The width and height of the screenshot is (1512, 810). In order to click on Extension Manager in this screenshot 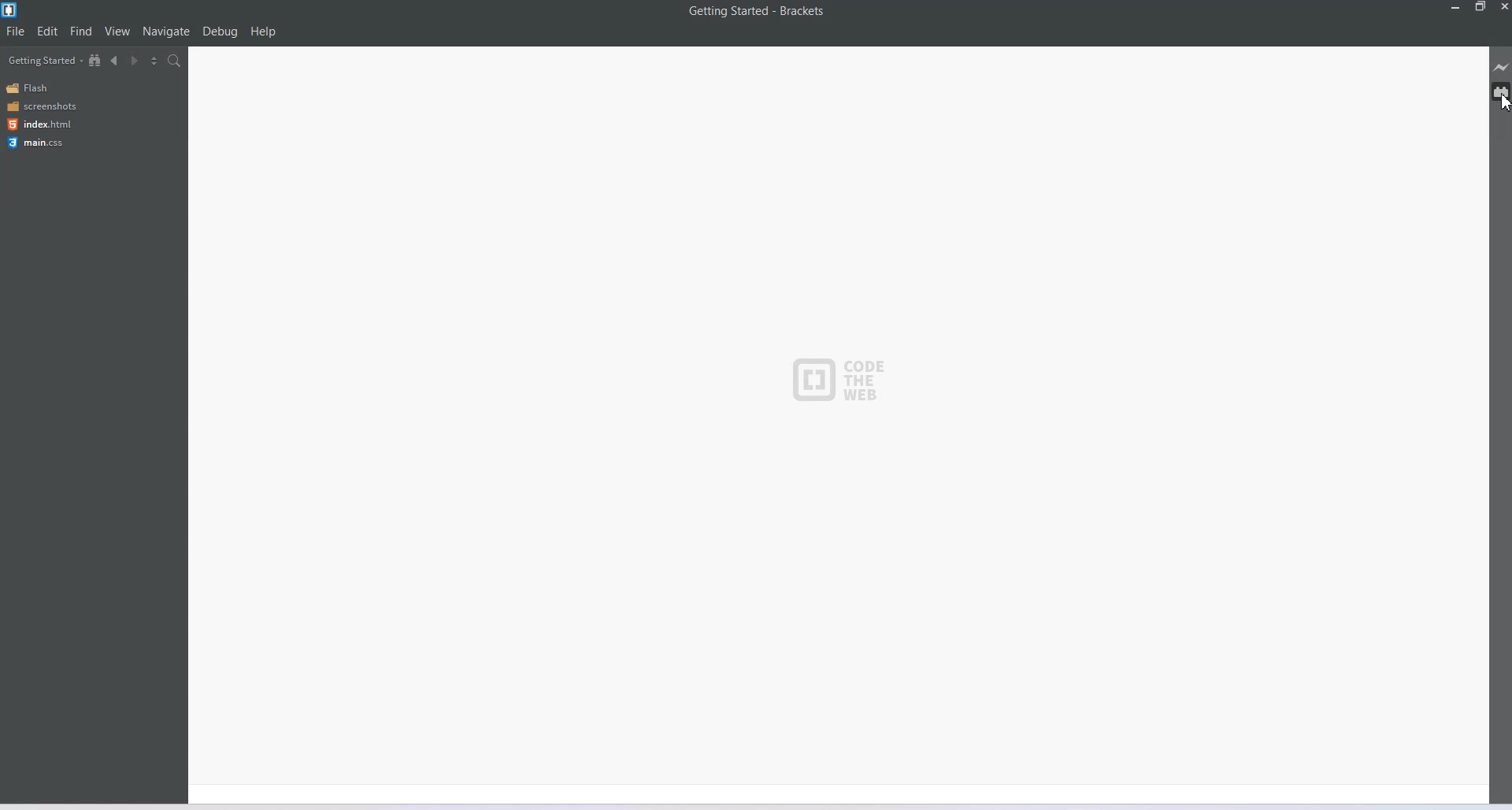, I will do `click(1502, 91)`.